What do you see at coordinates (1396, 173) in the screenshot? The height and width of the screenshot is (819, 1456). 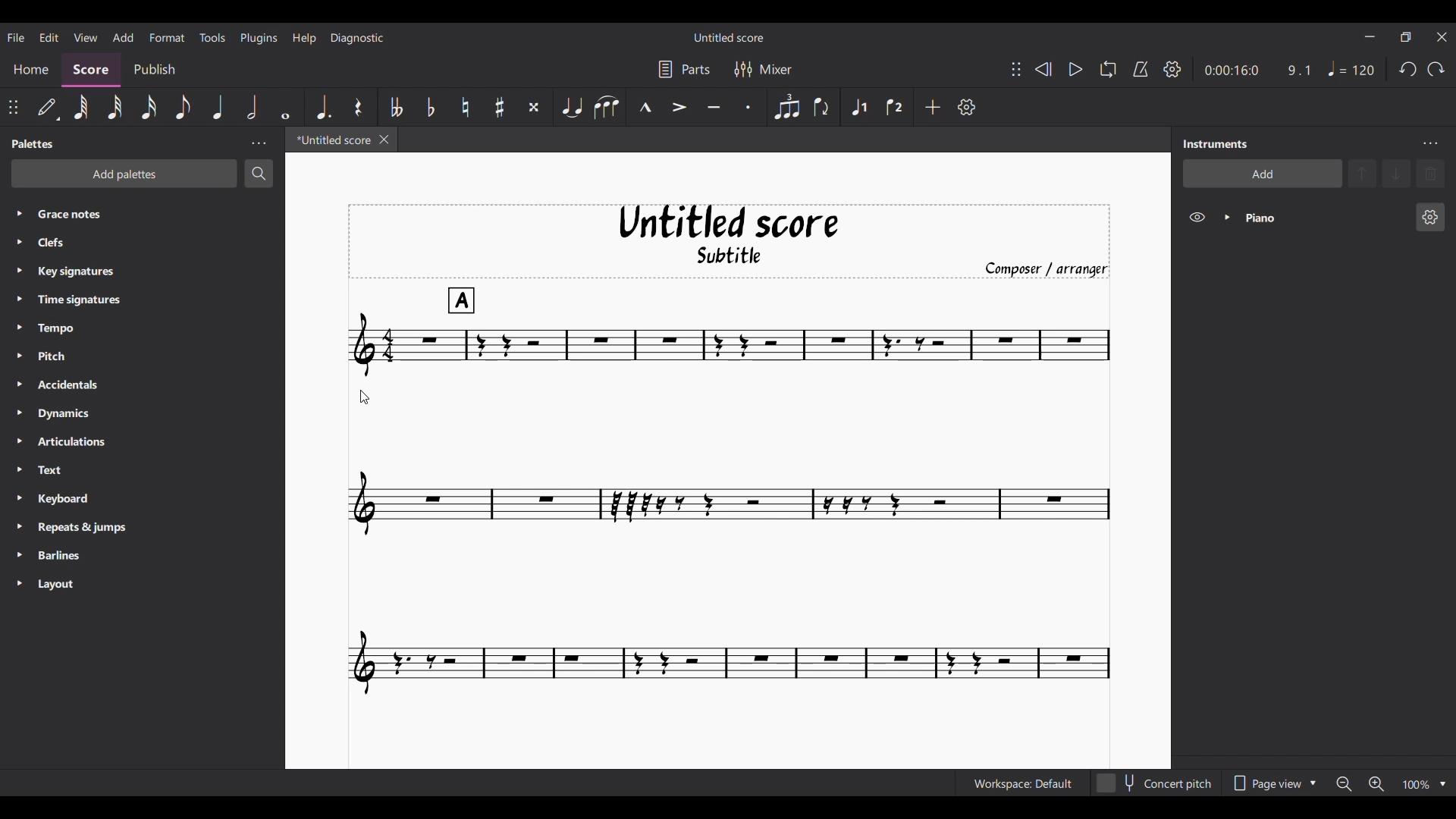 I see `Move instrument down` at bounding box center [1396, 173].